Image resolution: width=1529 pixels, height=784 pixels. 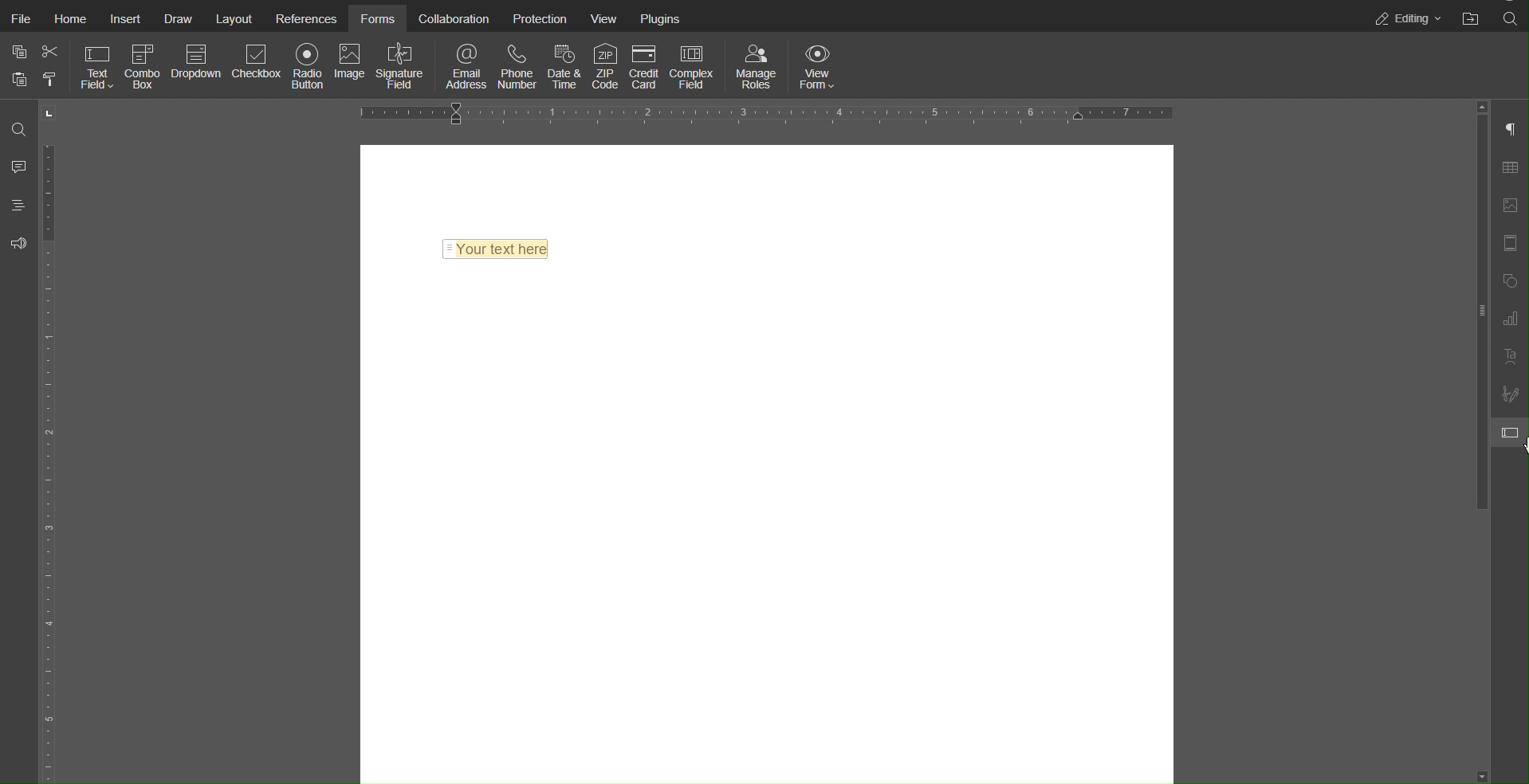 What do you see at coordinates (757, 66) in the screenshot?
I see `Manage Roles` at bounding box center [757, 66].